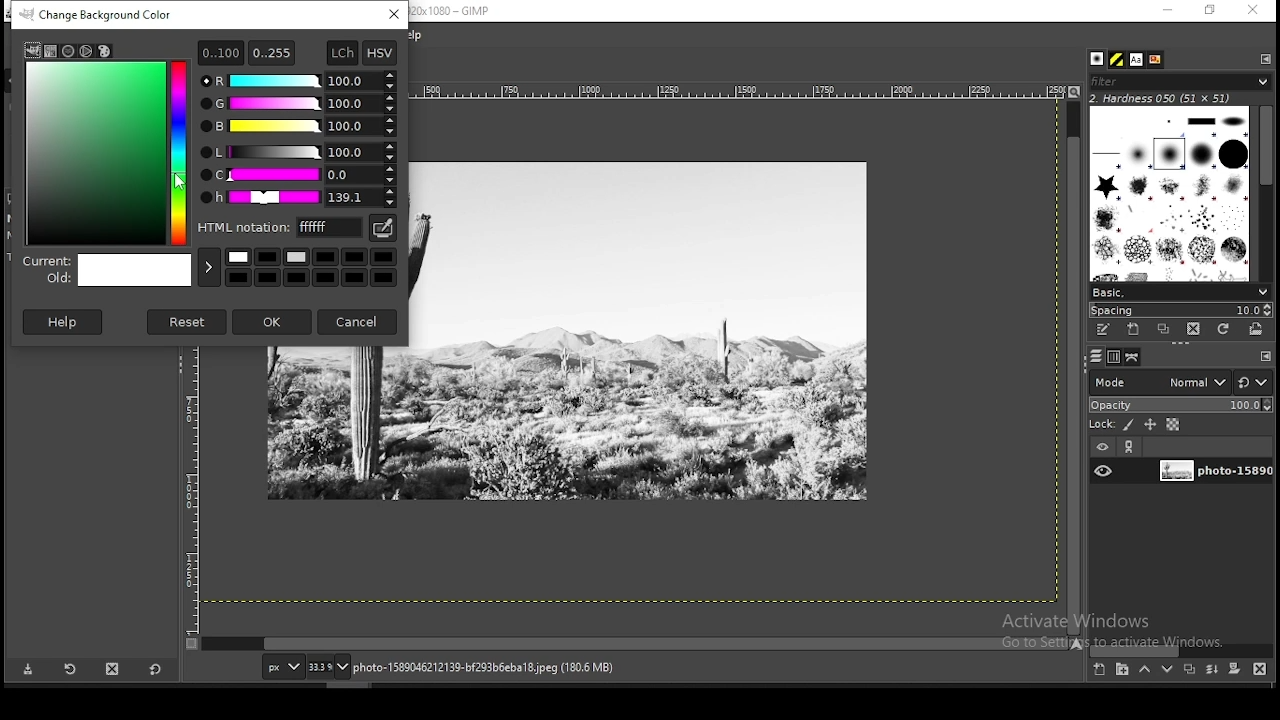  What do you see at coordinates (106, 152) in the screenshot?
I see `color map` at bounding box center [106, 152].